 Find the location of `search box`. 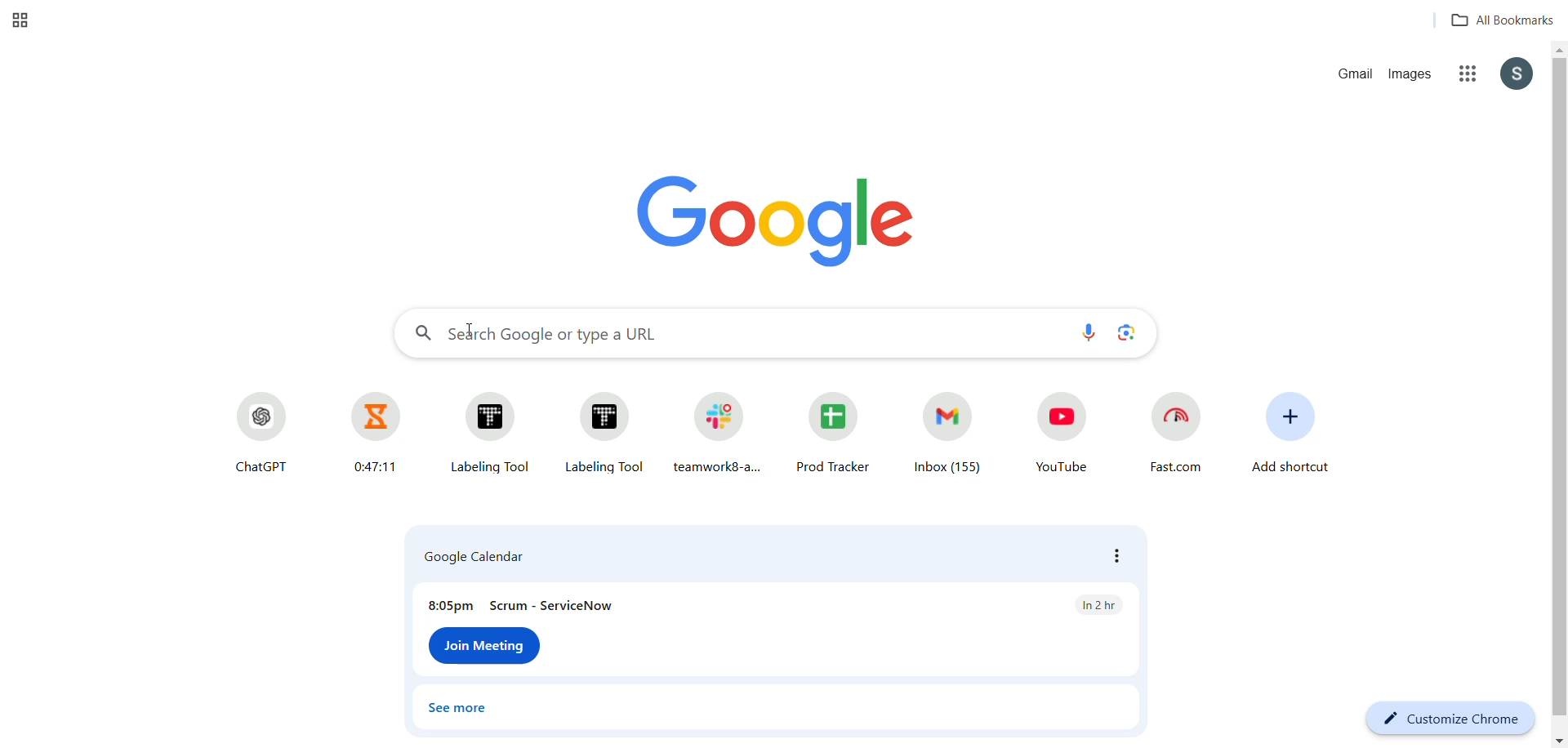

search box is located at coordinates (751, 334).